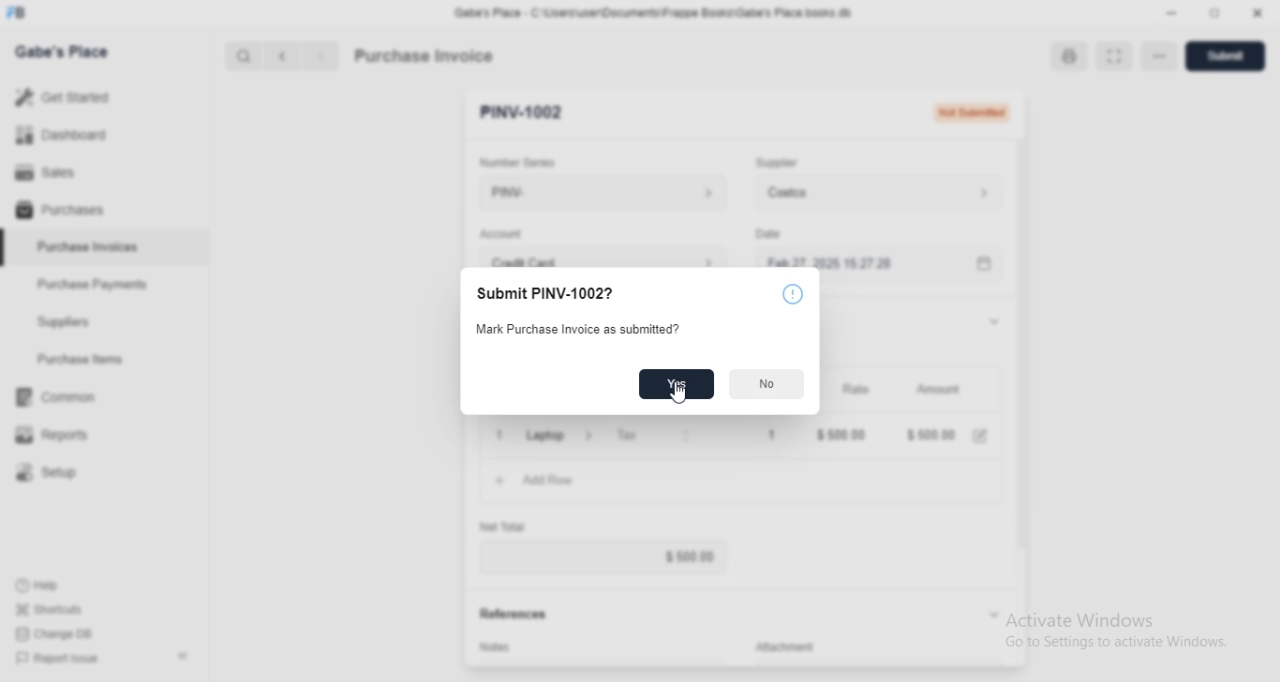 The image size is (1280, 682). What do you see at coordinates (1115, 56) in the screenshot?
I see `Toggle between form and full width` at bounding box center [1115, 56].